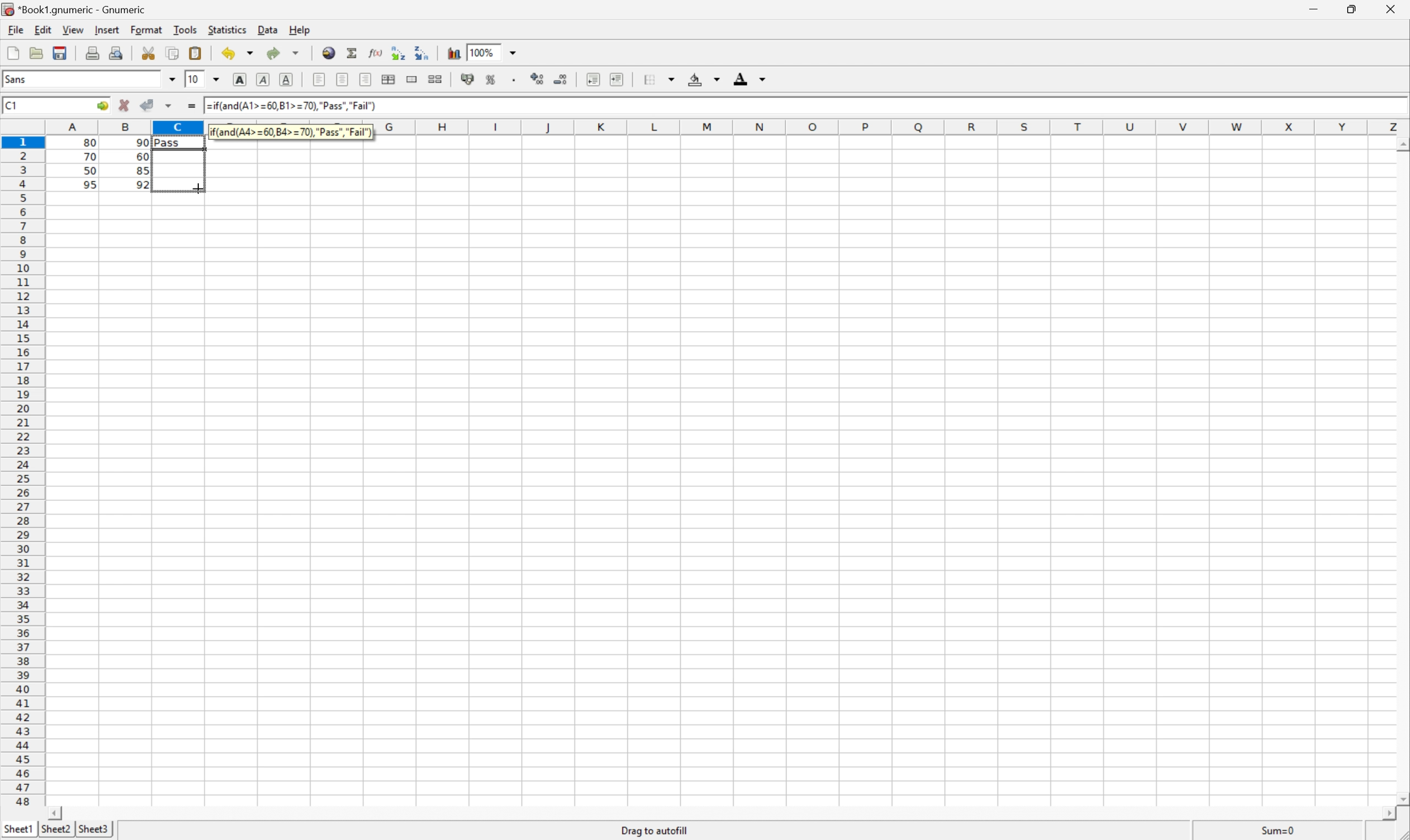 The image size is (1410, 840). I want to click on Sum=80, so click(1277, 830).